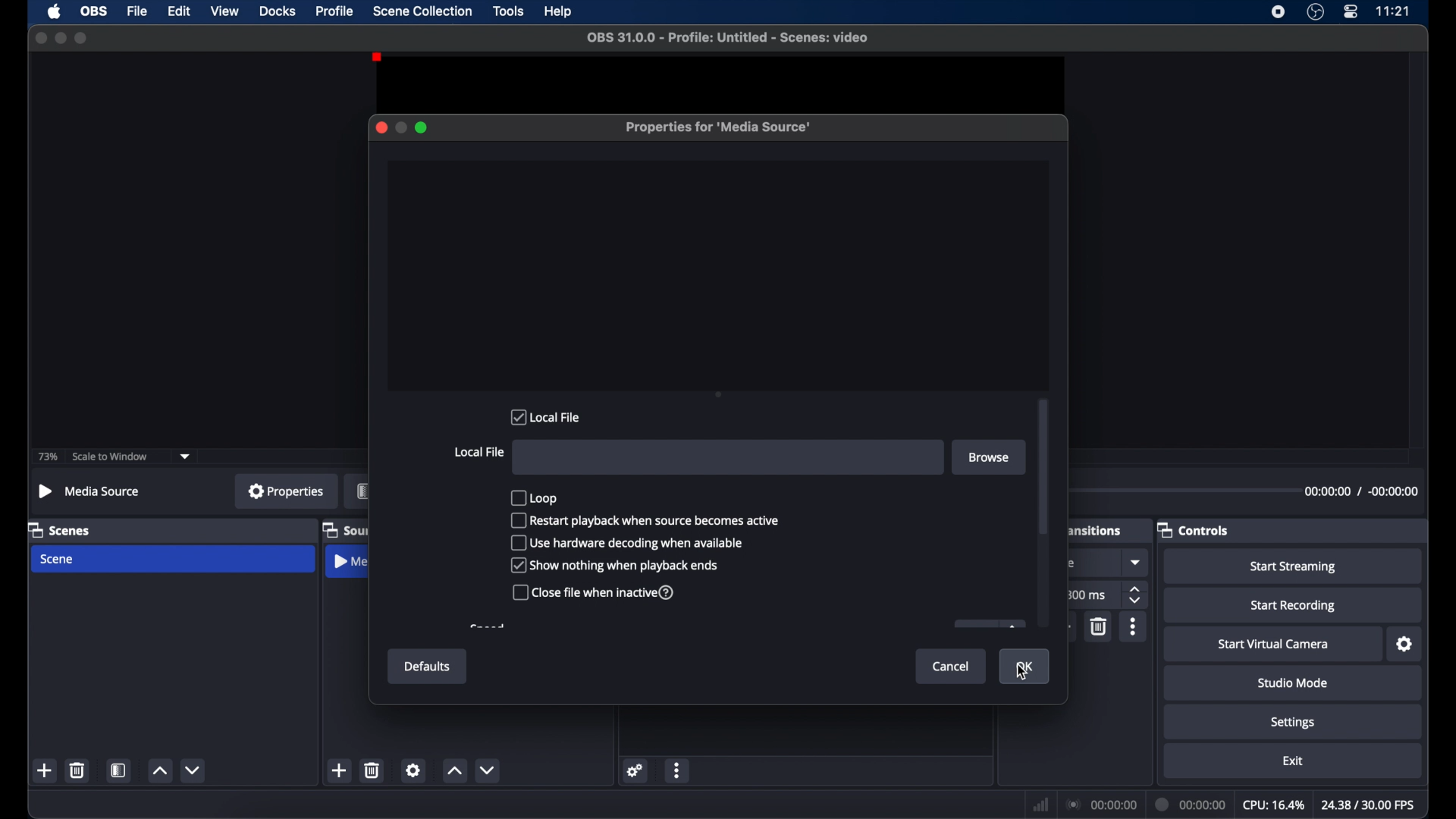  What do you see at coordinates (990, 623) in the screenshot?
I see `obscure icon` at bounding box center [990, 623].